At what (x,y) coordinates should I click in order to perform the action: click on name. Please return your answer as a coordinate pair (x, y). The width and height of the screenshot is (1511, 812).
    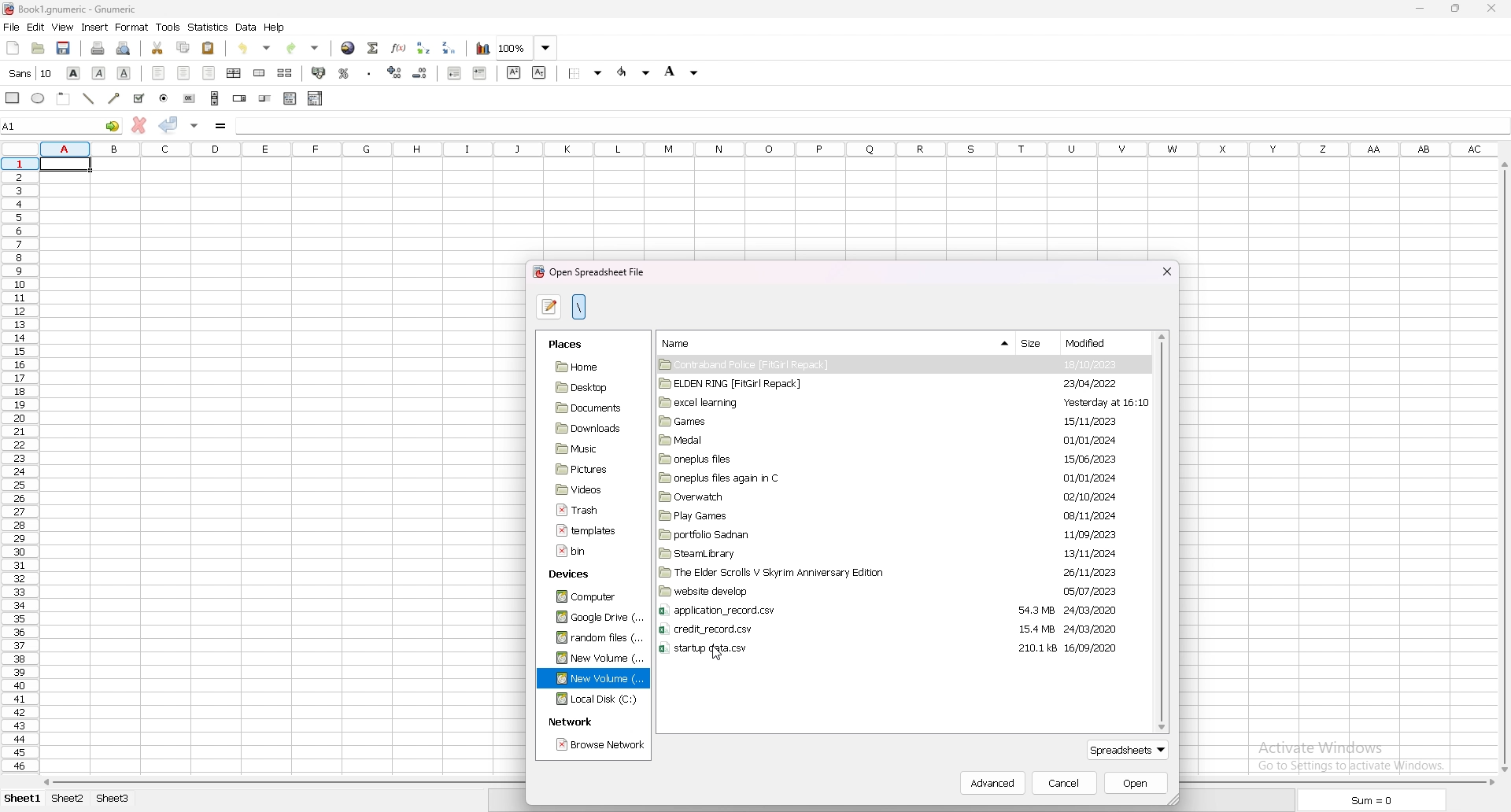
    Looking at the image, I should click on (676, 343).